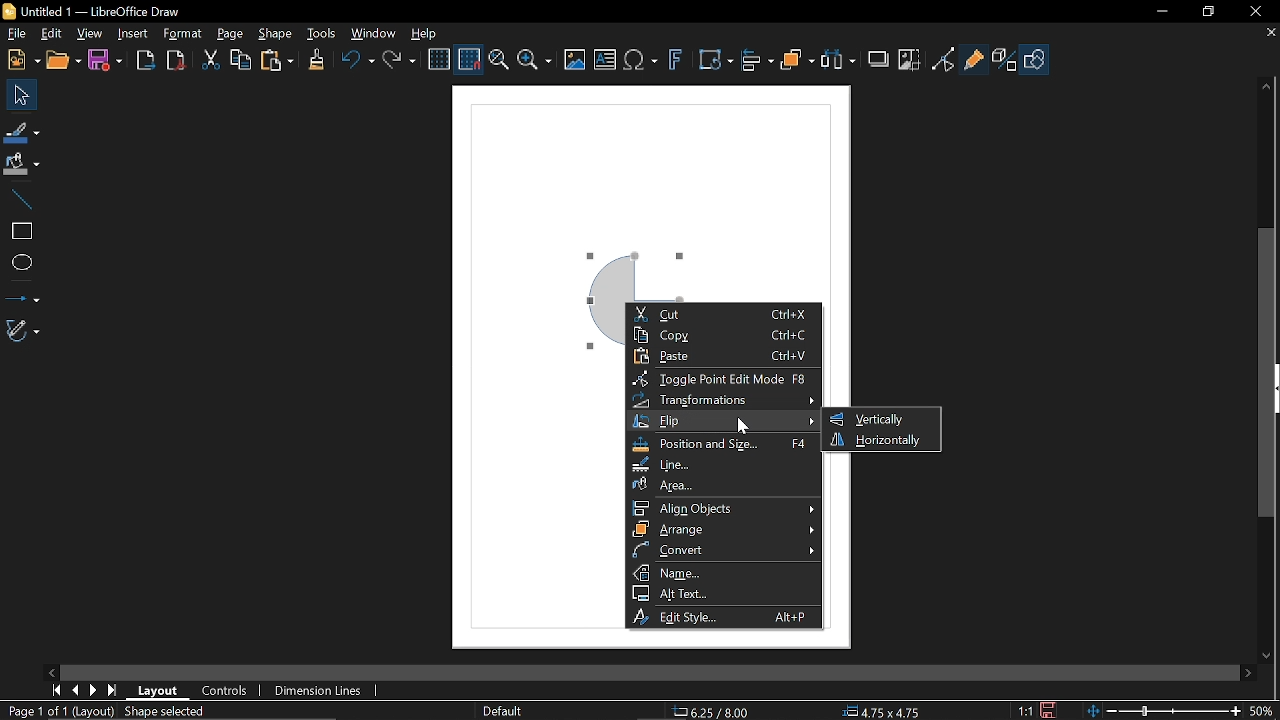 The image size is (1280, 720). I want to click on Convert, so click(724, 551).